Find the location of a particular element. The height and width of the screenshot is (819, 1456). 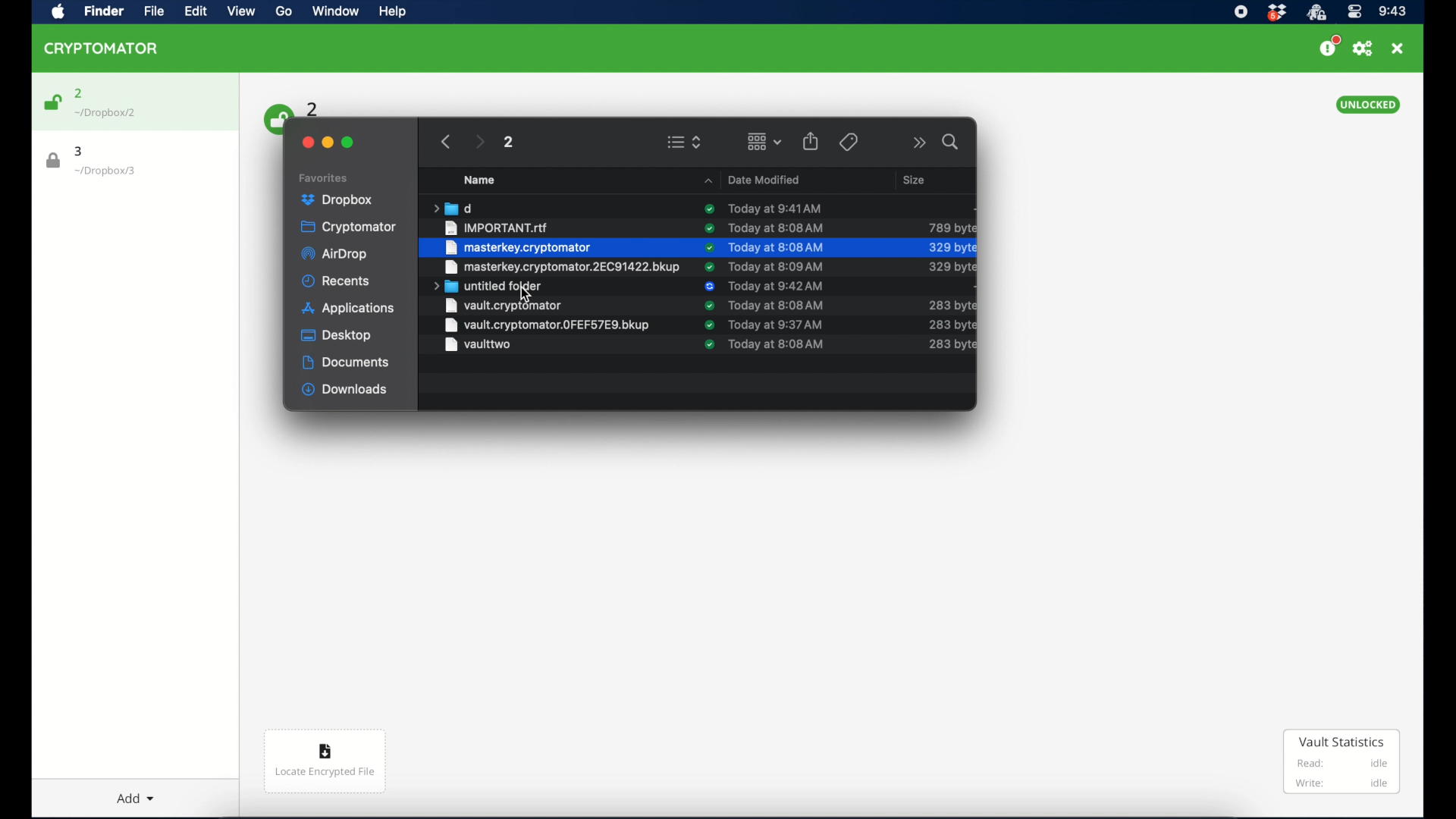

date is located at coordinates (775, 208).